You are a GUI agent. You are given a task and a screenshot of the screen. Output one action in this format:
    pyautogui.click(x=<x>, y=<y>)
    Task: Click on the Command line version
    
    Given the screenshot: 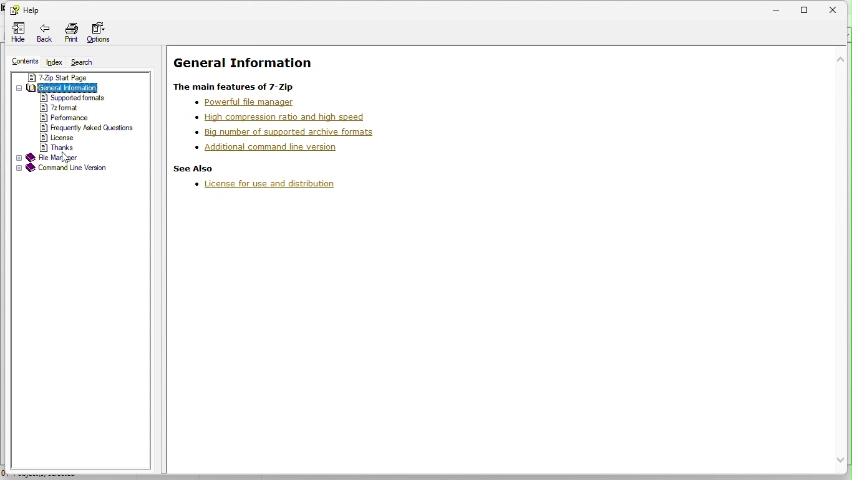 What is the action you would take?
    pyautogui.click(x=62, y=169)
    